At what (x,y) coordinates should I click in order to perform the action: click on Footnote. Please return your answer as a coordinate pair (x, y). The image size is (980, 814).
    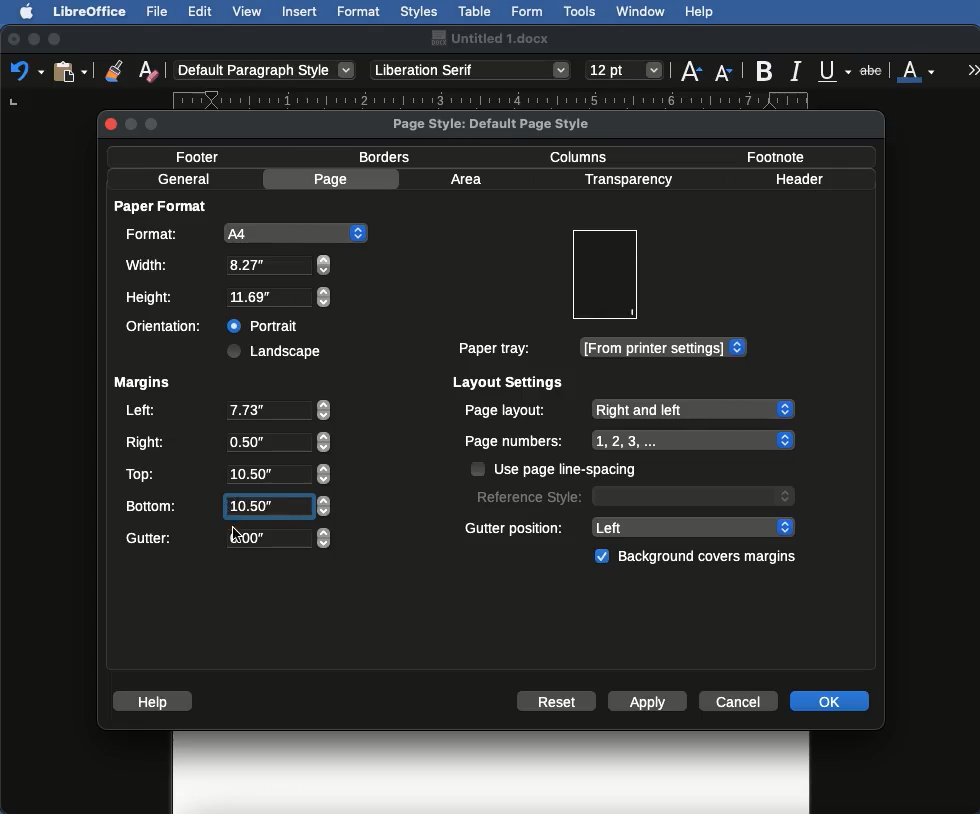
    Looking at the image, I should click on (774, 156).